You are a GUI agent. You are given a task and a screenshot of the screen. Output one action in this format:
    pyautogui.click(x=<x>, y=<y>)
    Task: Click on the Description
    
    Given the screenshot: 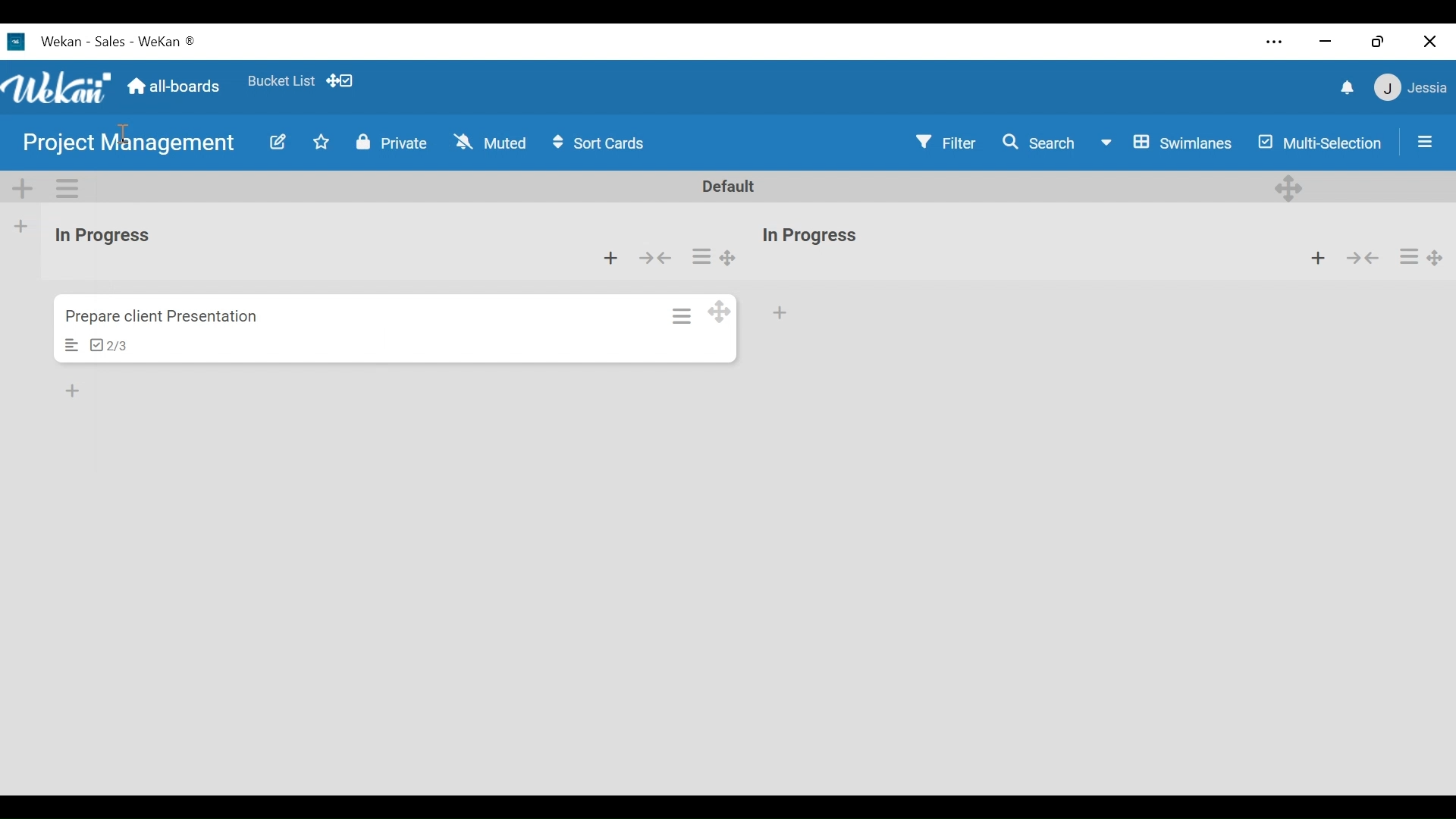 What is the action you would take?
    pyautogui.click(x=71, y=344)
    